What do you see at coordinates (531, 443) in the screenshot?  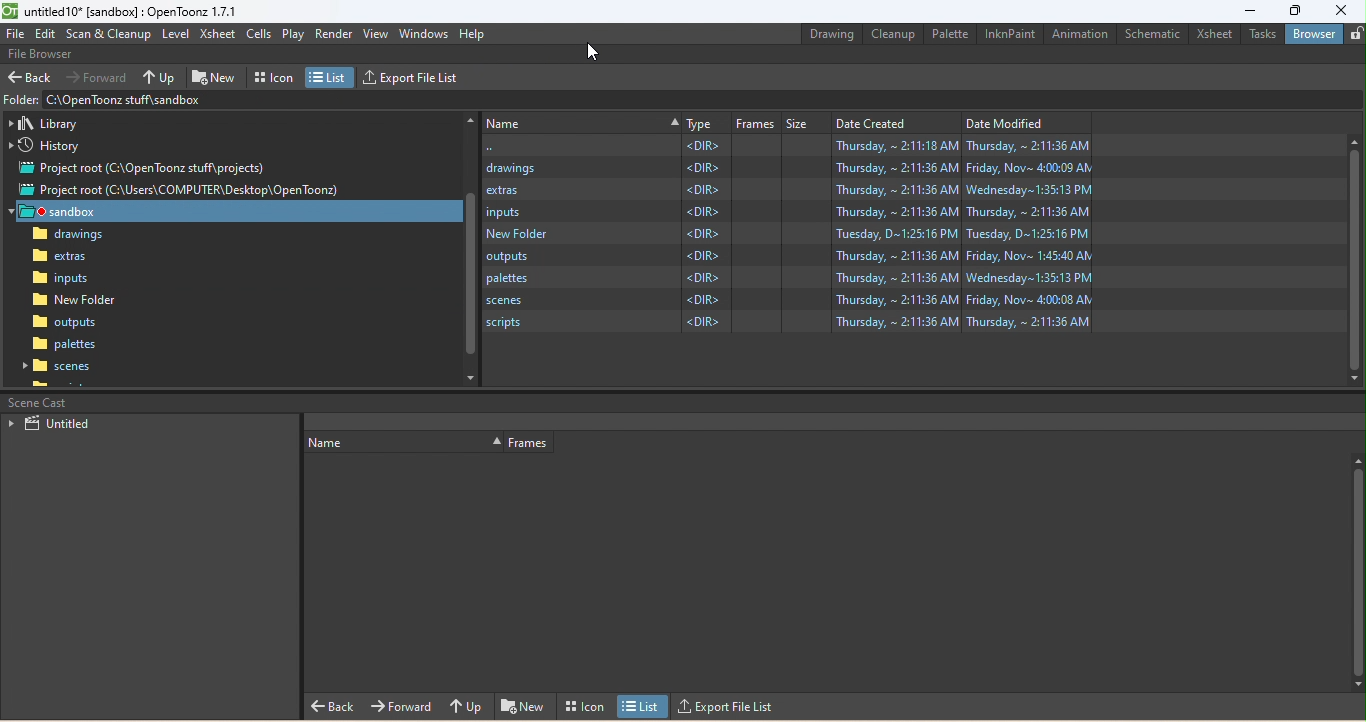 I see `Frames` at bounding box center [531, 443].